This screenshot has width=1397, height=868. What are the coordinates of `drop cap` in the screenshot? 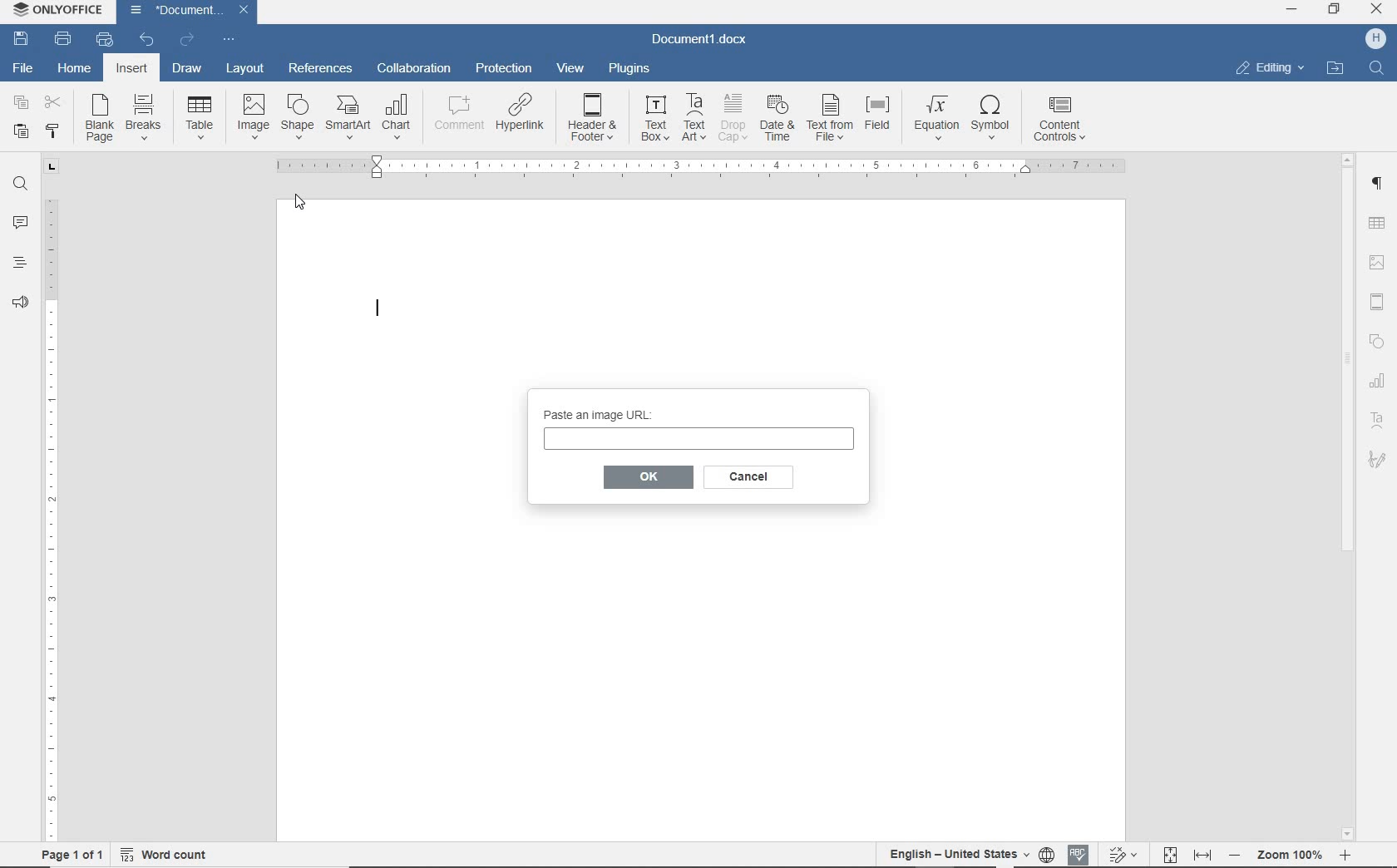 It's located at (734, 117).